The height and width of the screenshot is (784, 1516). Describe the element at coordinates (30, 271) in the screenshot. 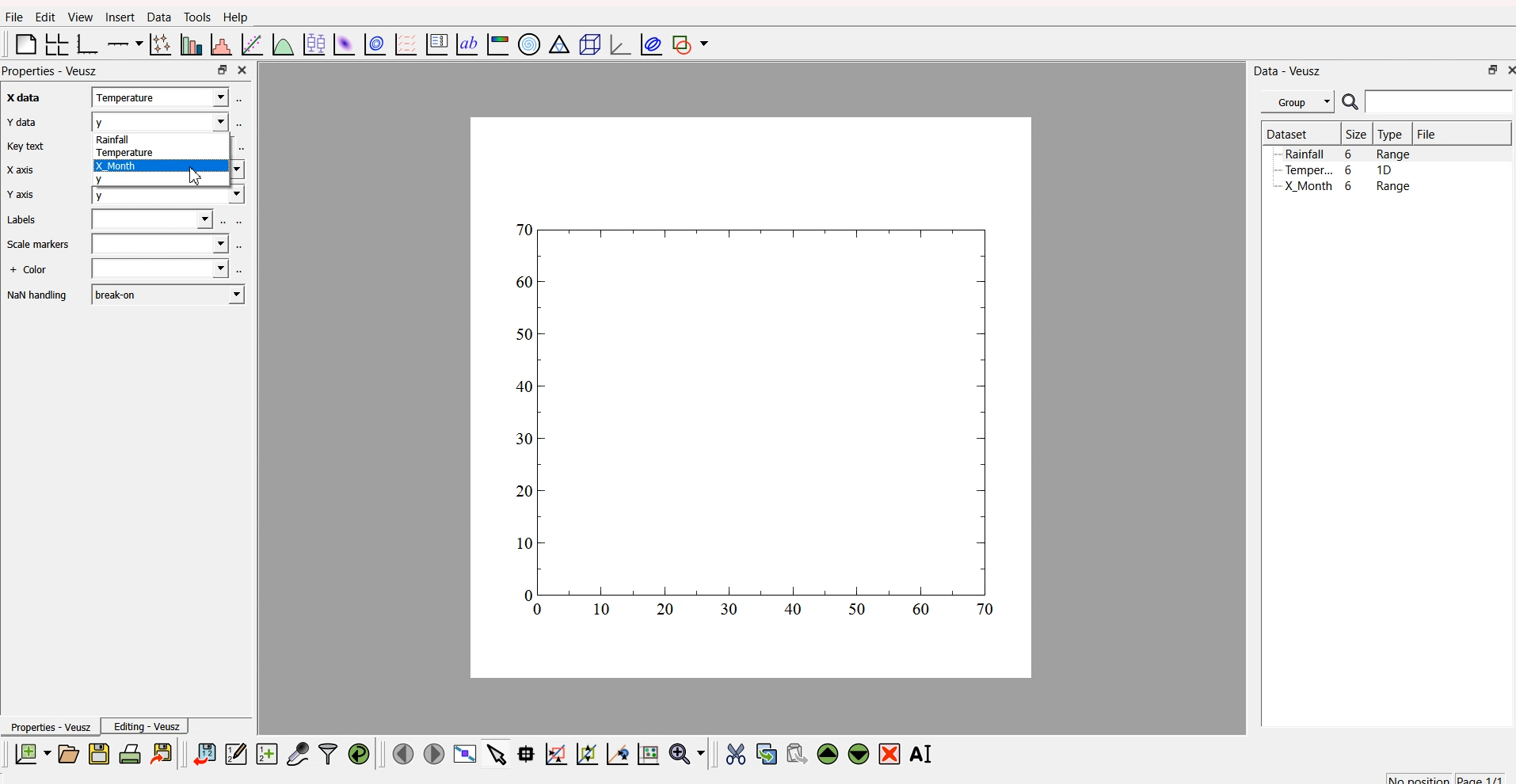

I see `+ Color` at that location.